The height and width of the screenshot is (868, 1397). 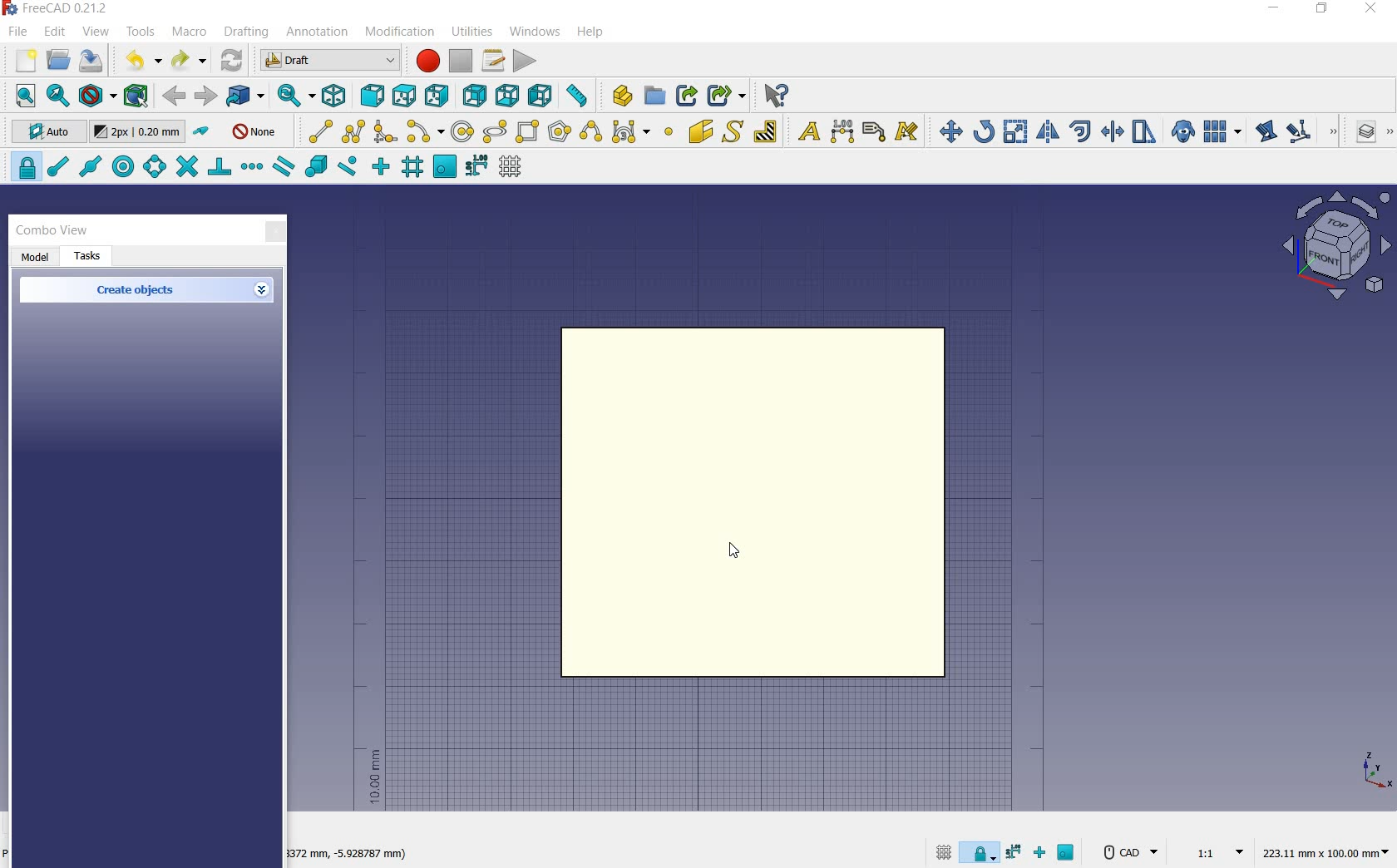 I want to click on dimension, so click(x=843, y=133).